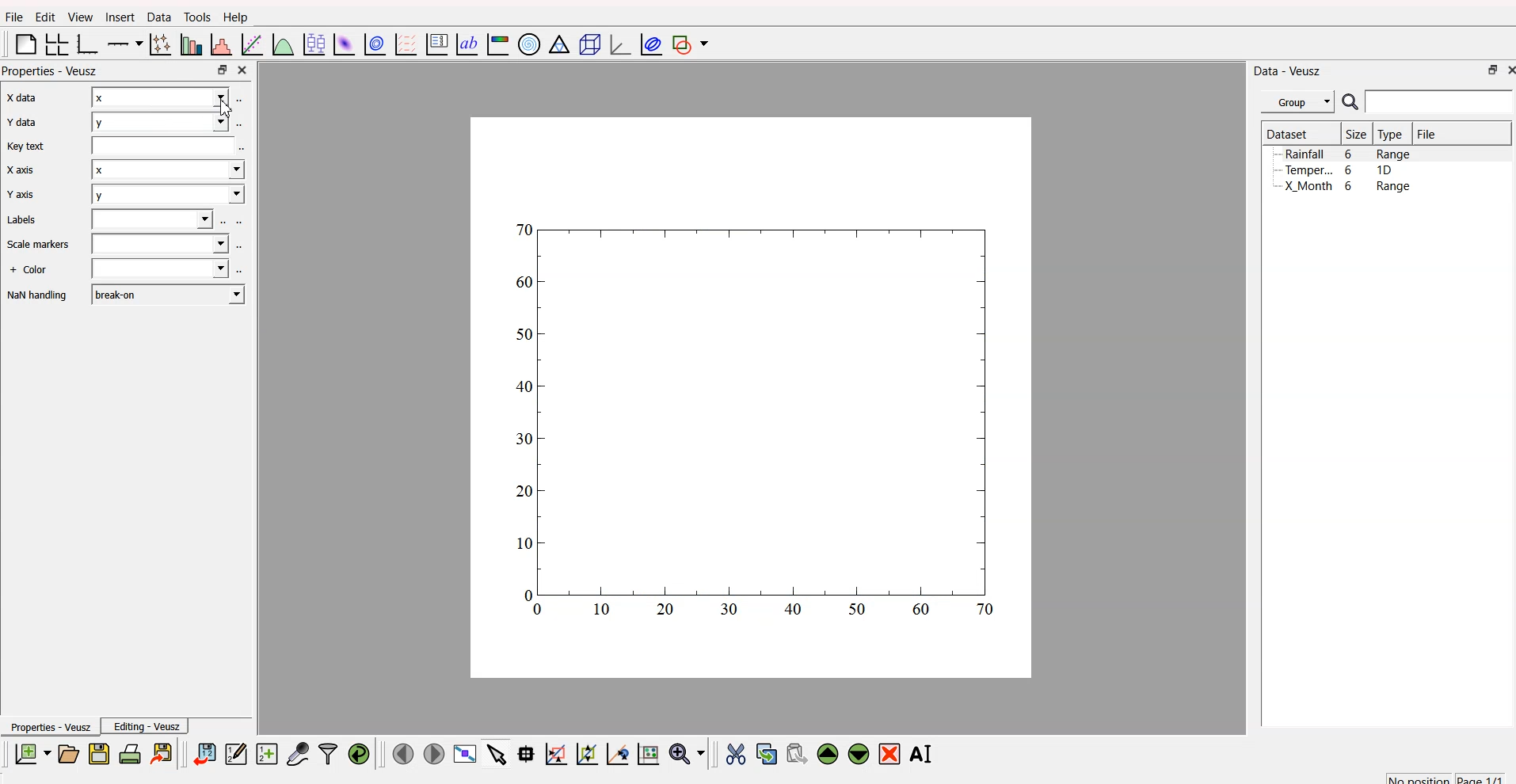 The height and width of the screenshot is (784, 1516). Describe the element at coordinates (856, 755) in the screenshot. I see `move down the widget ` at that location.